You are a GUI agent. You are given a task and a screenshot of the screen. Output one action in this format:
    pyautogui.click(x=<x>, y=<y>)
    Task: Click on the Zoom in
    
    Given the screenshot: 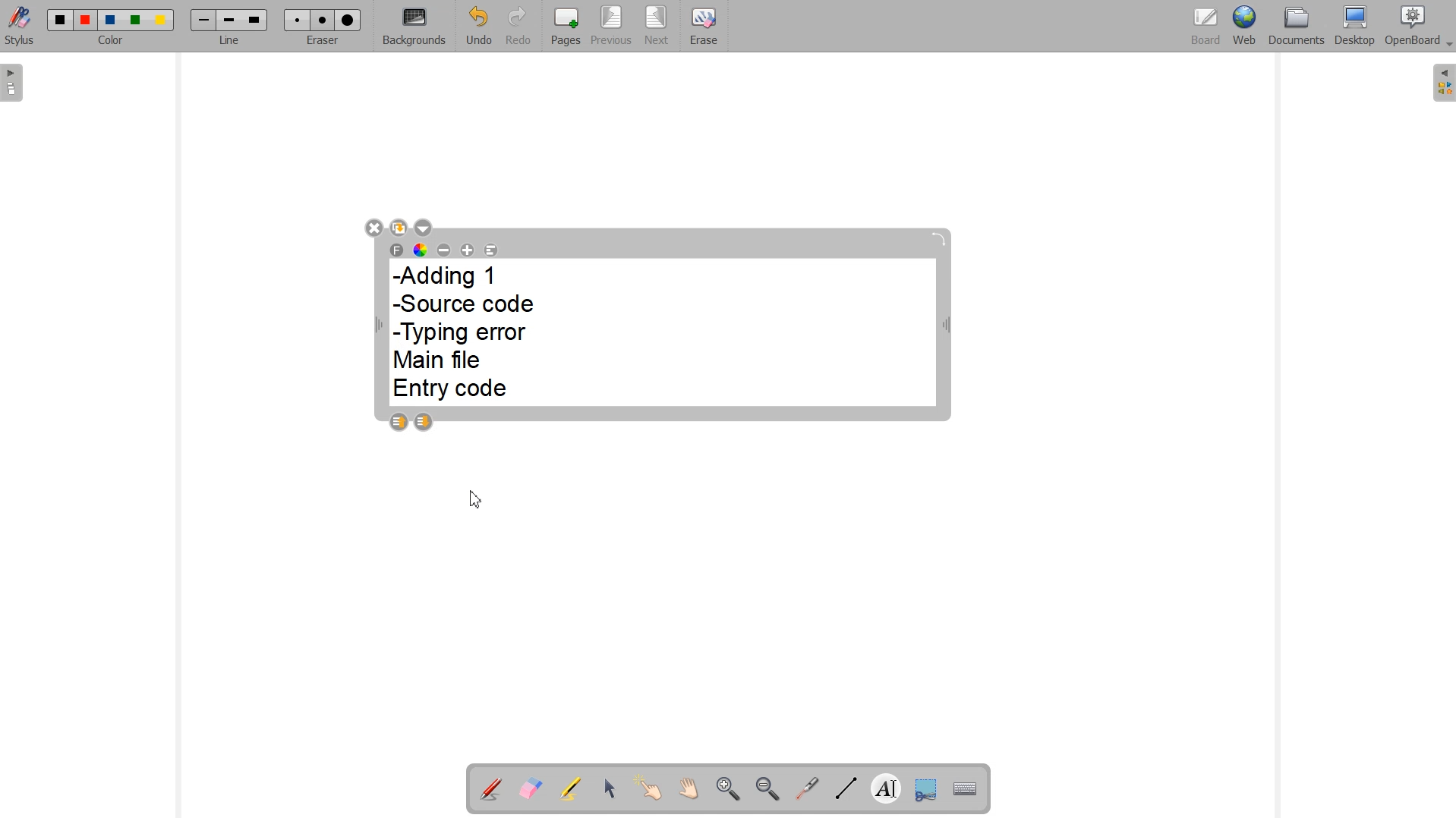 What is the action you would take?
    pyautogui.click(x=726, y=788)
    